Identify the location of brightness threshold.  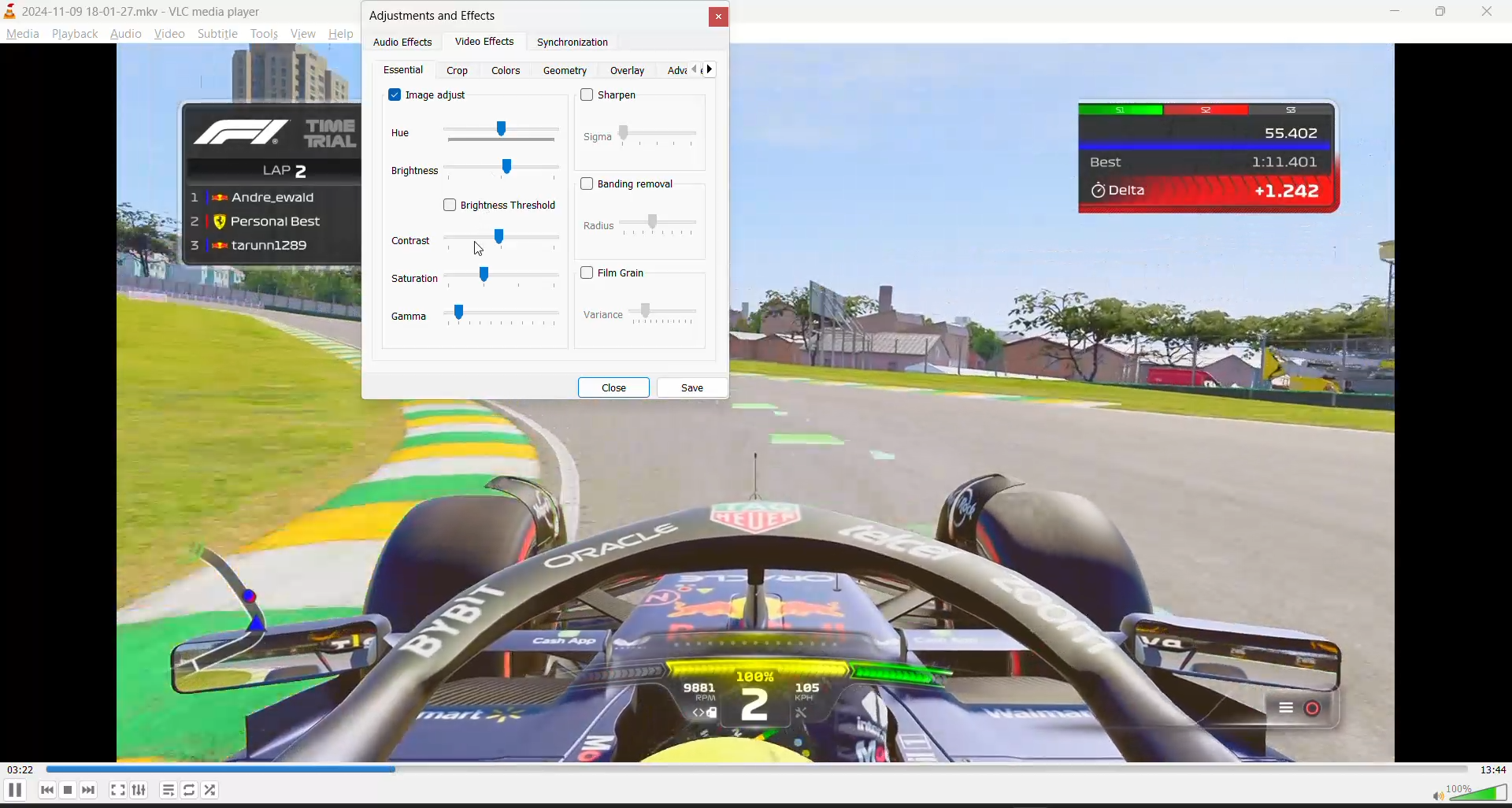
(499, 206).